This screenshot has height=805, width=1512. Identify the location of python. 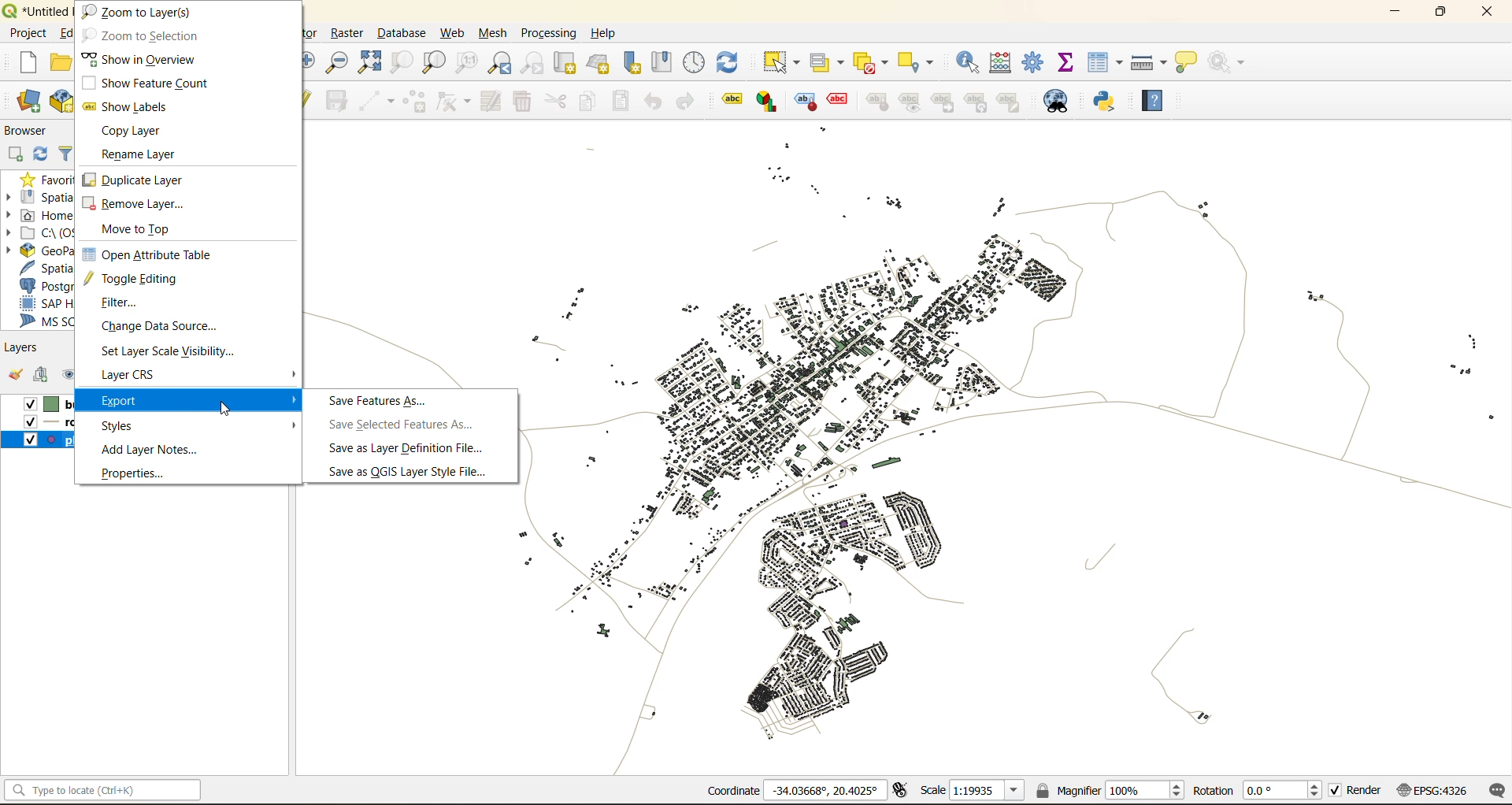
(1110, 103).